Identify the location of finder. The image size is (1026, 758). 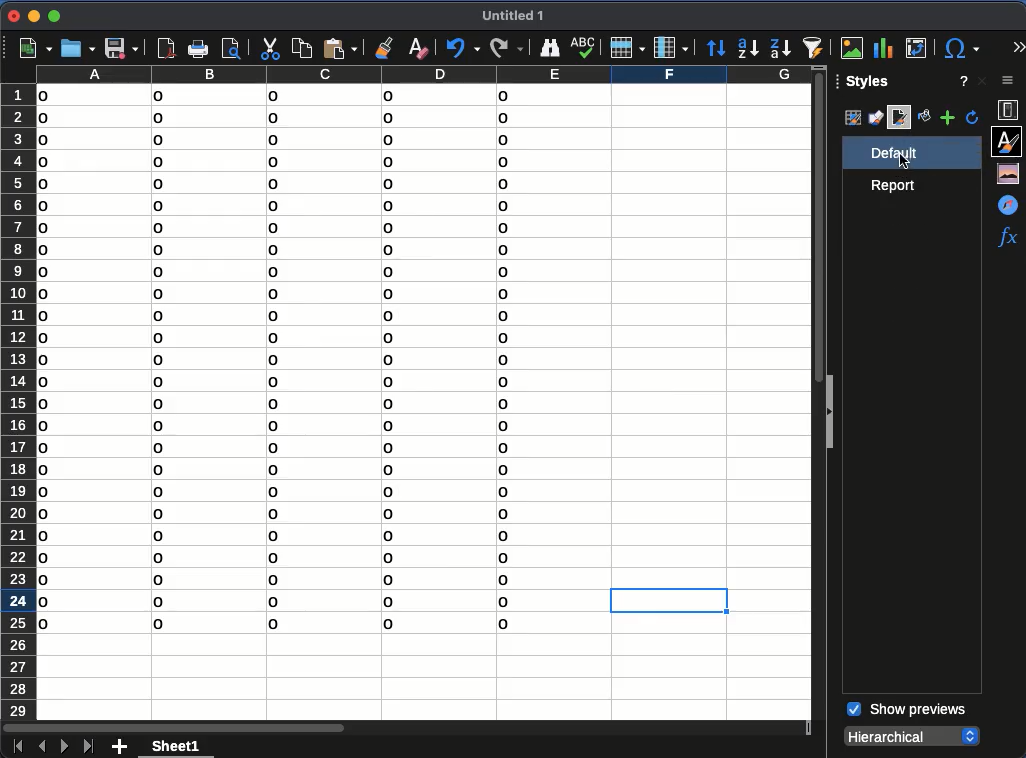
(550, 47).